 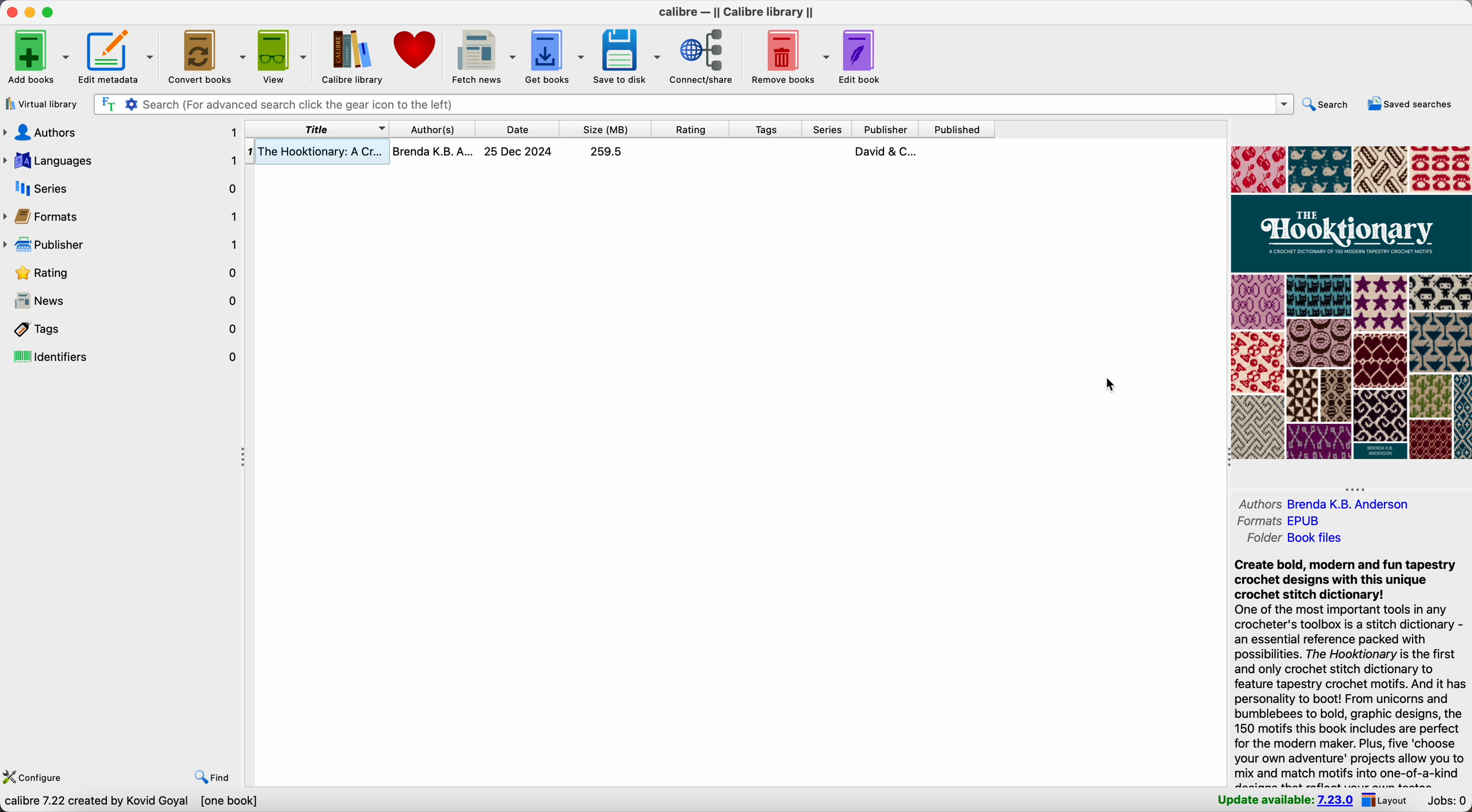 I want to click on formats, so click(x=1283, y=522).